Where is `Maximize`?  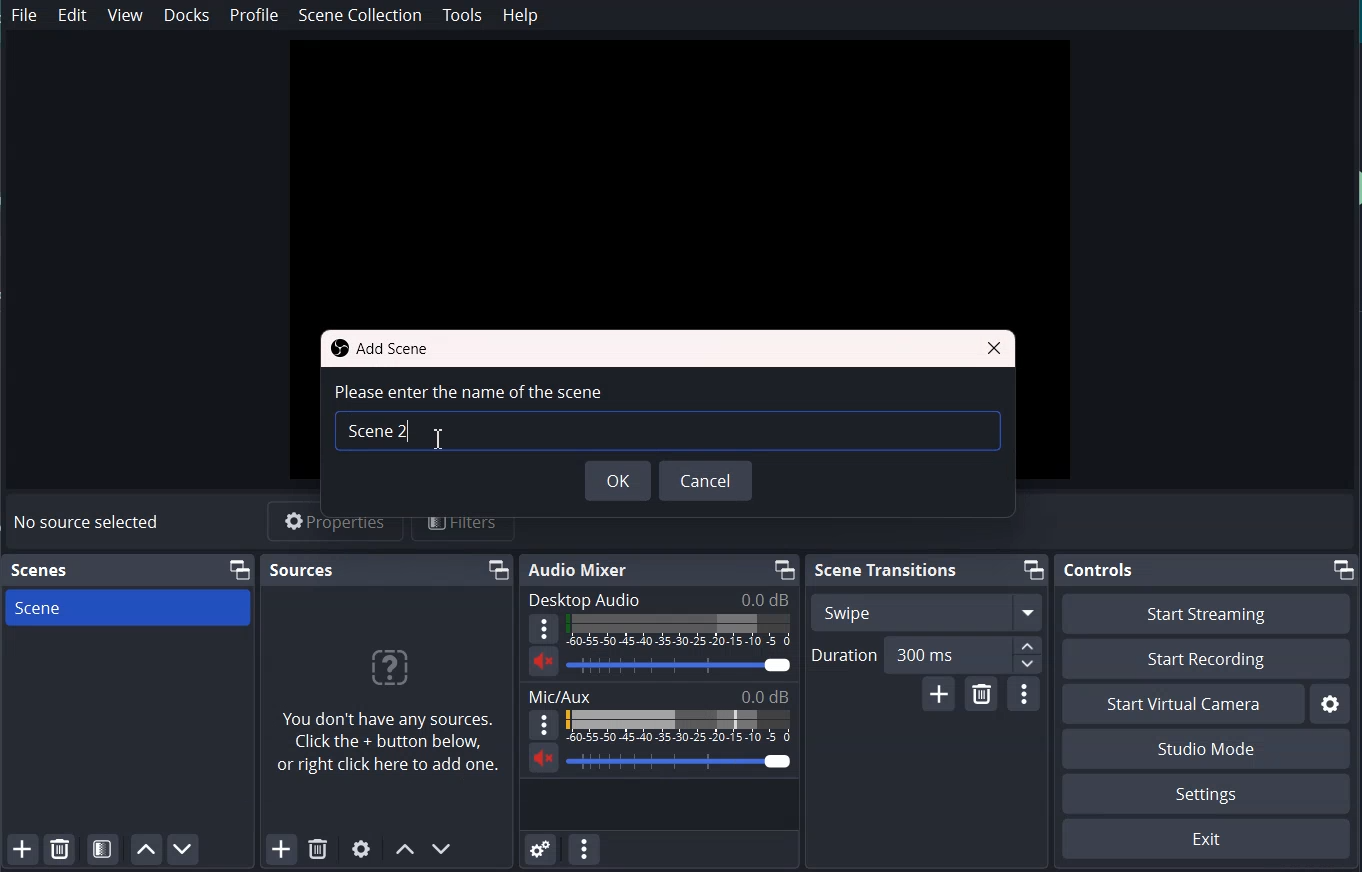 Maximize is located at coordinates (499, 570).